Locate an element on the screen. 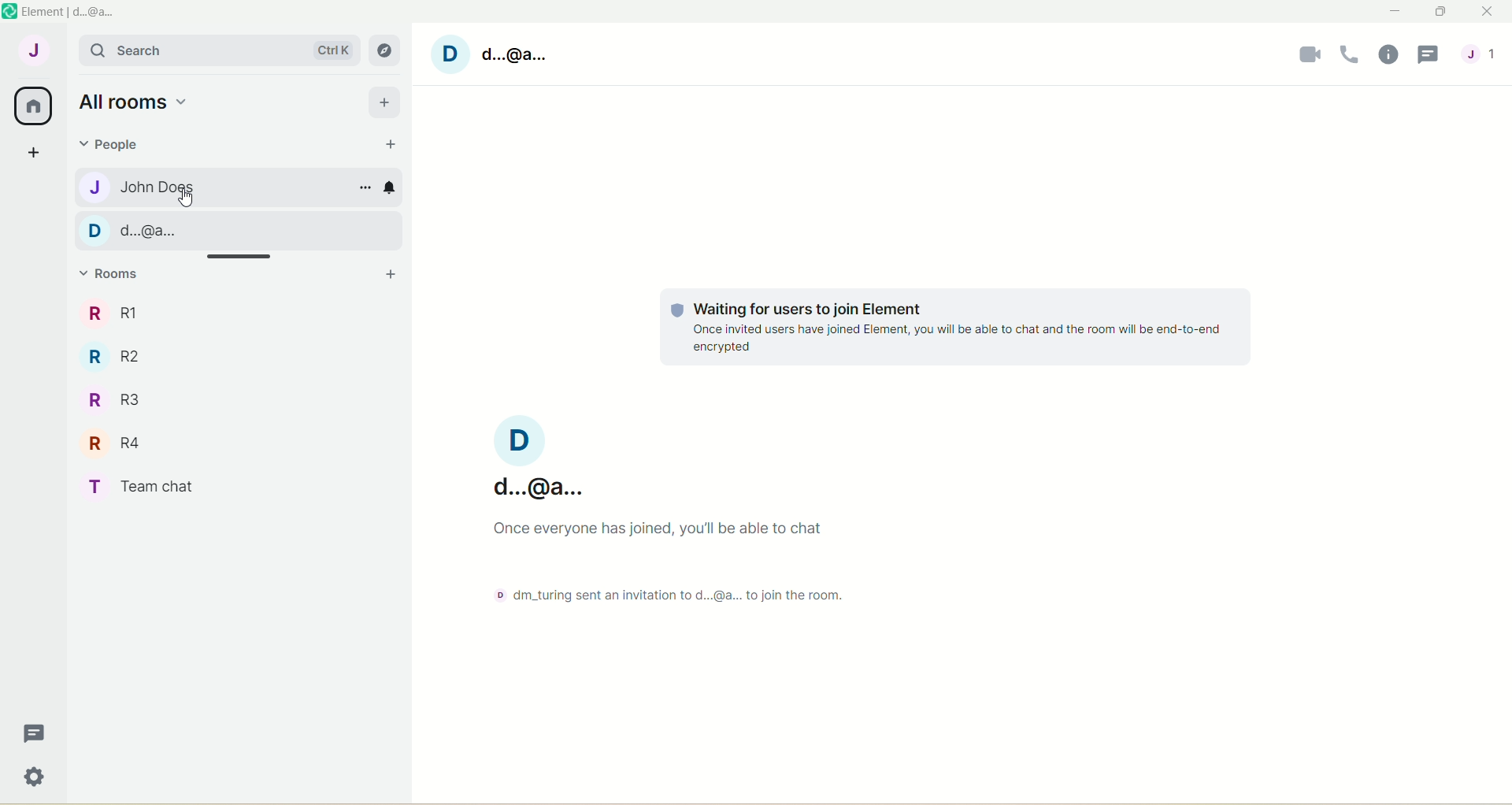 This screenshot has height=805, width=1512. d...@a... is located at coordinates (538, 458).